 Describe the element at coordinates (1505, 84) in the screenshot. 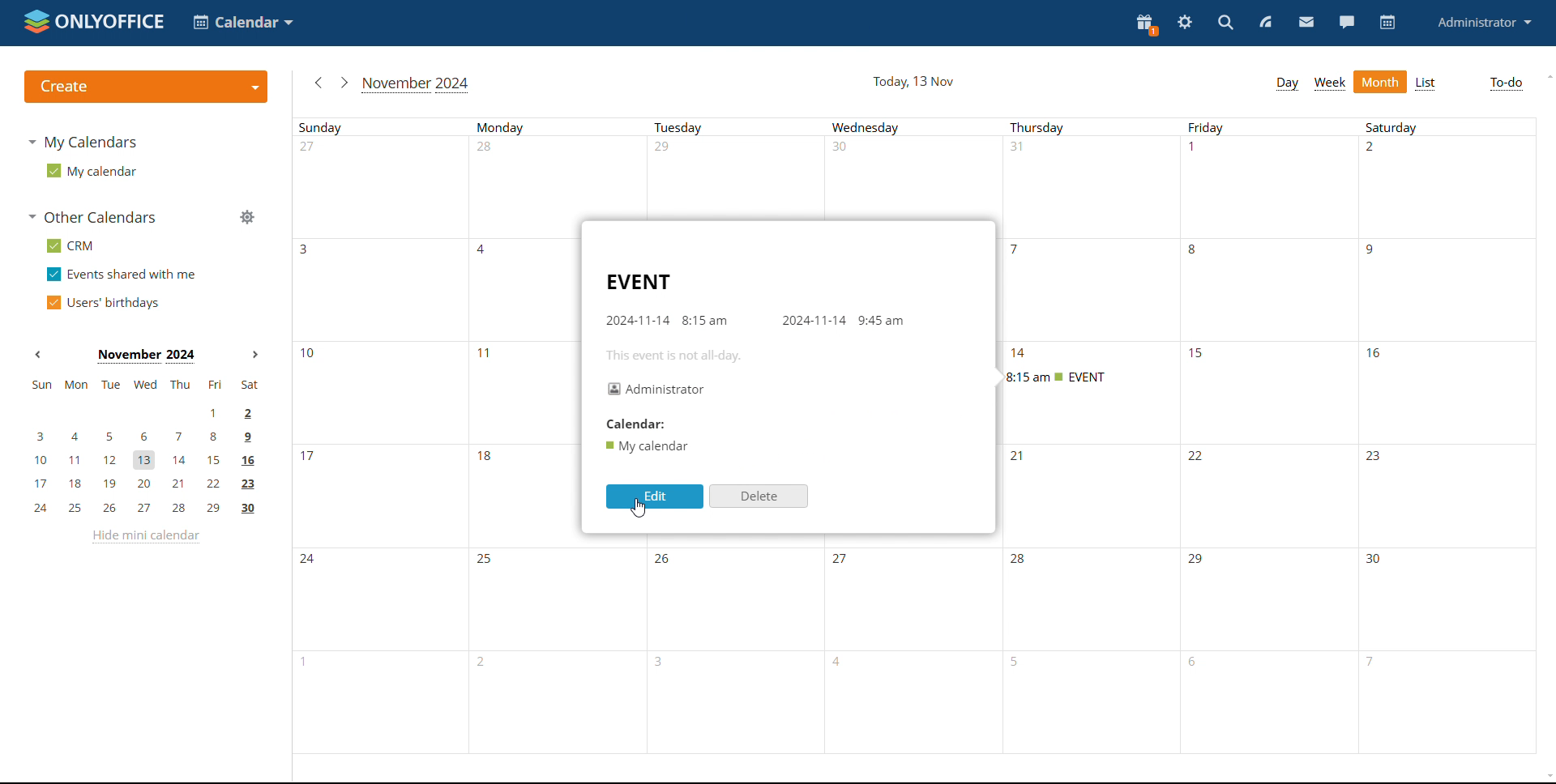

I see `to-do` at that location.